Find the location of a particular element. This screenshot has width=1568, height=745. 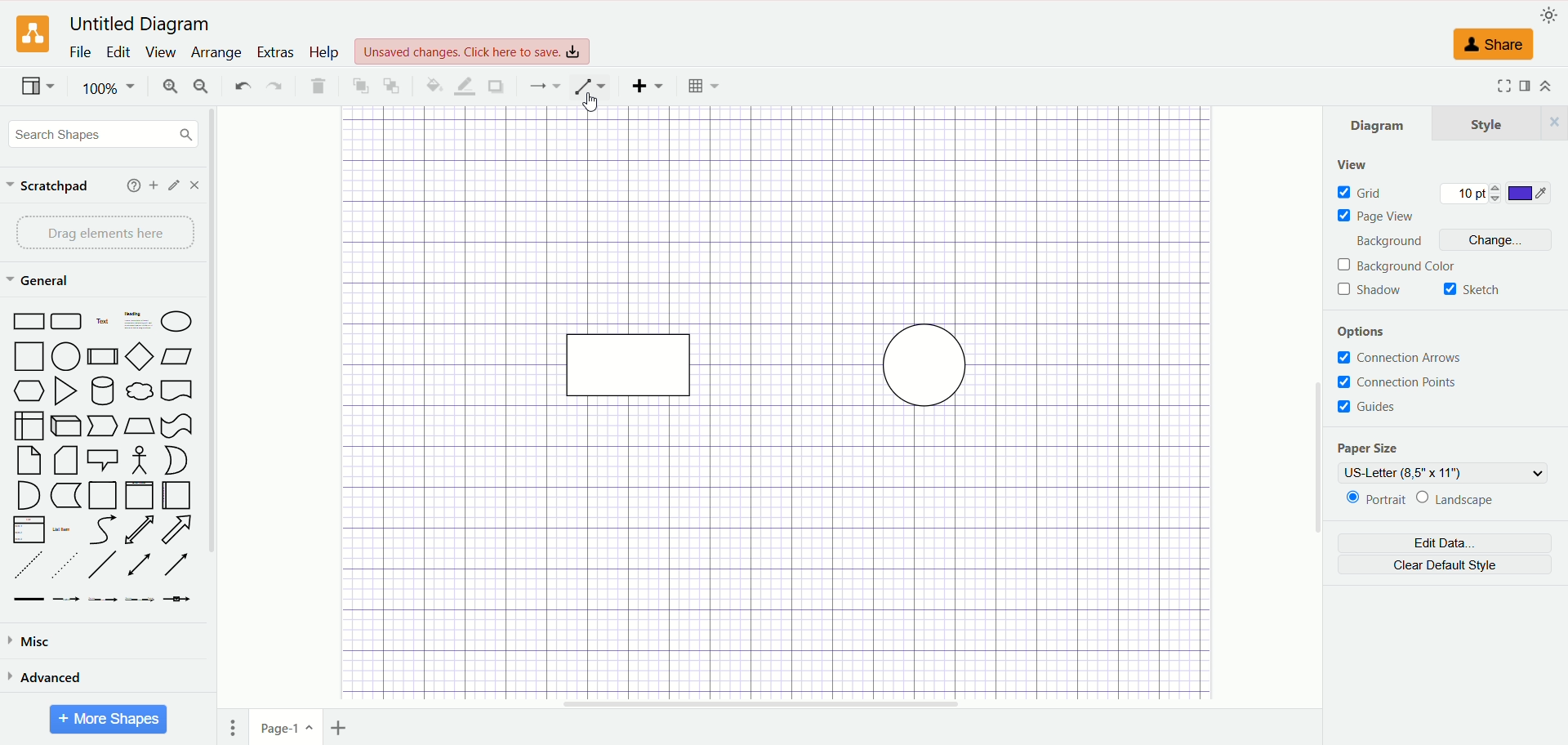

Table is located at coordinates (703, 86).